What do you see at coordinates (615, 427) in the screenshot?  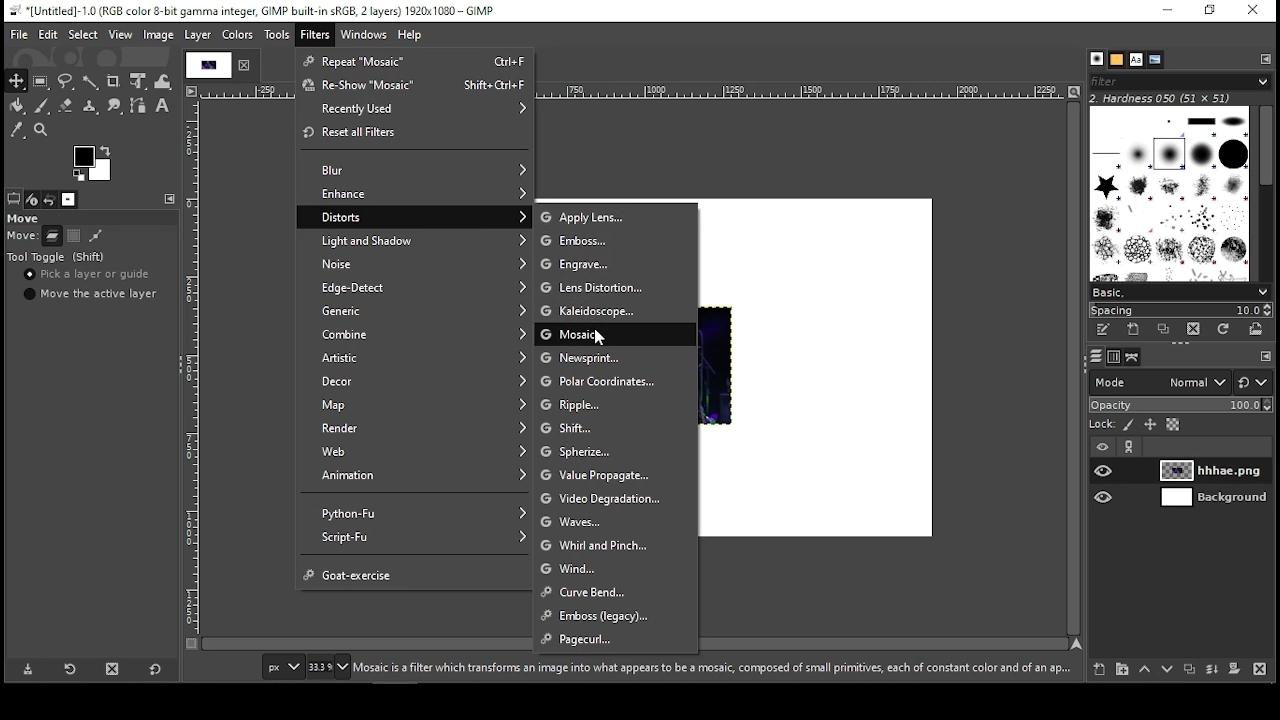 I see `shift` at bounding box center [615, 427].